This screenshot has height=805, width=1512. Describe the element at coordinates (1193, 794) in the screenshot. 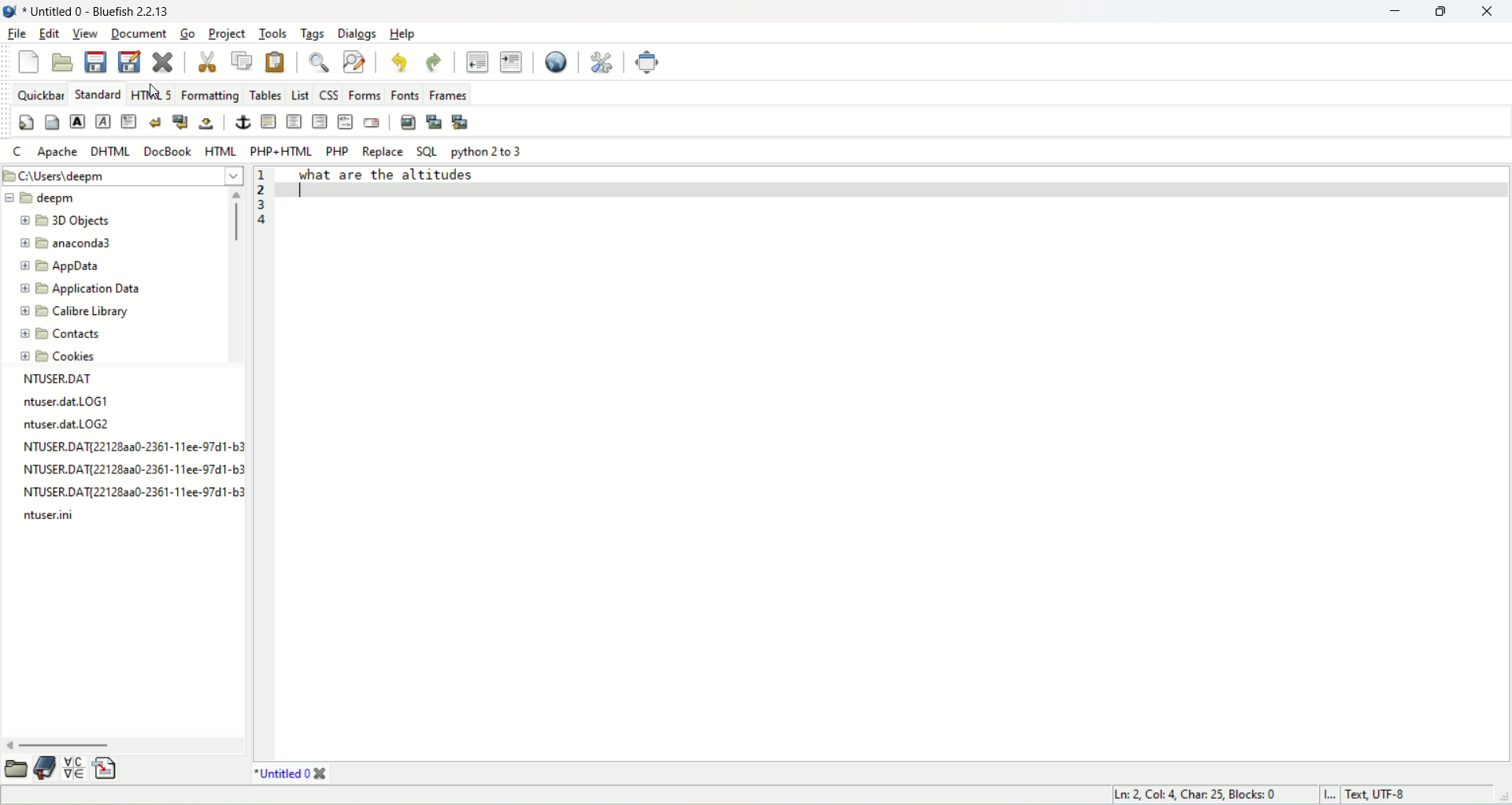

I see `ln, col, char, block` at that location.